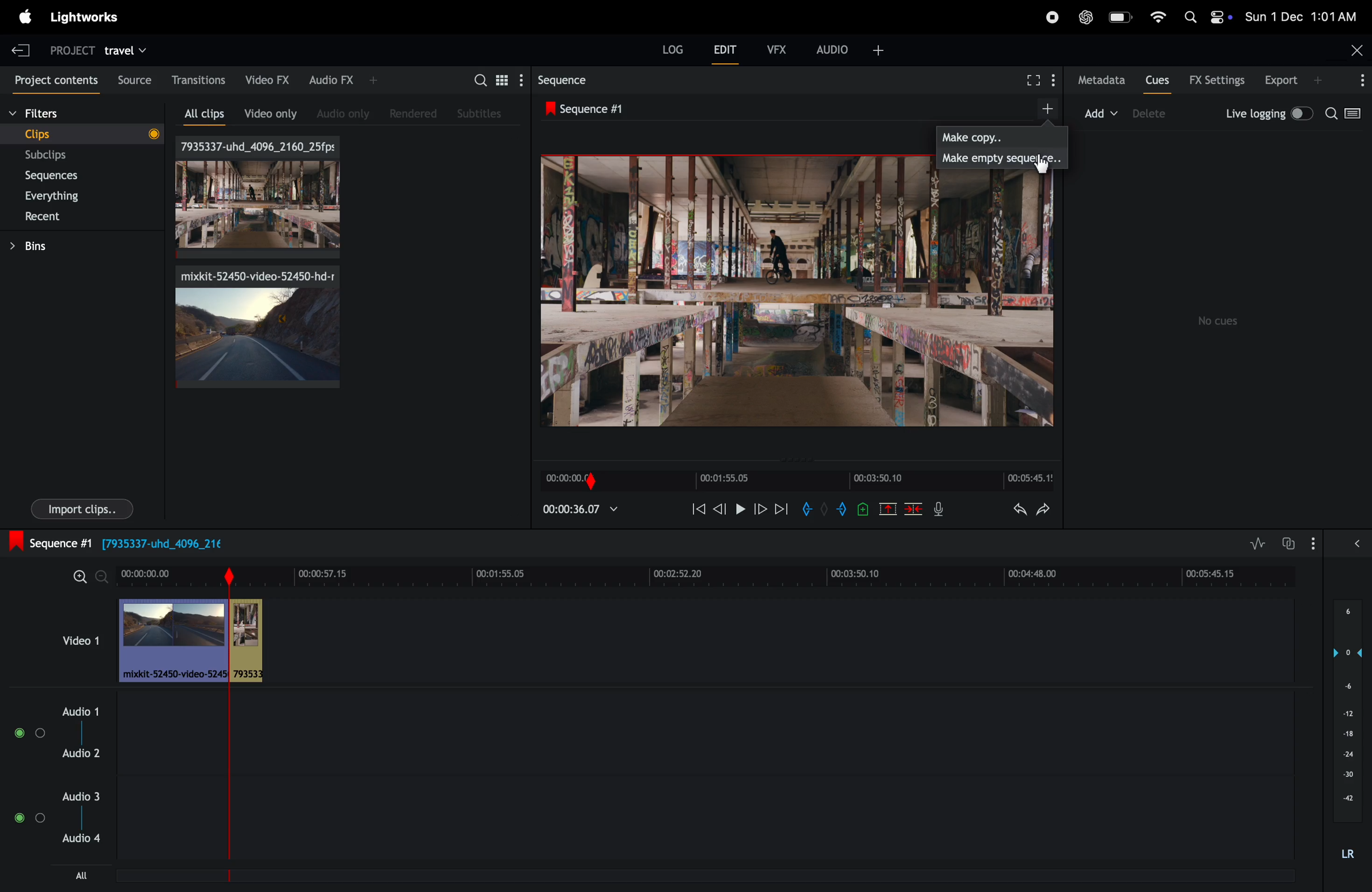 This screenshot has width=1372, height=892. What do you see at coordinates (1348, 115) in the screenshot?
I see `search options` at bounding box center [1348, 115].